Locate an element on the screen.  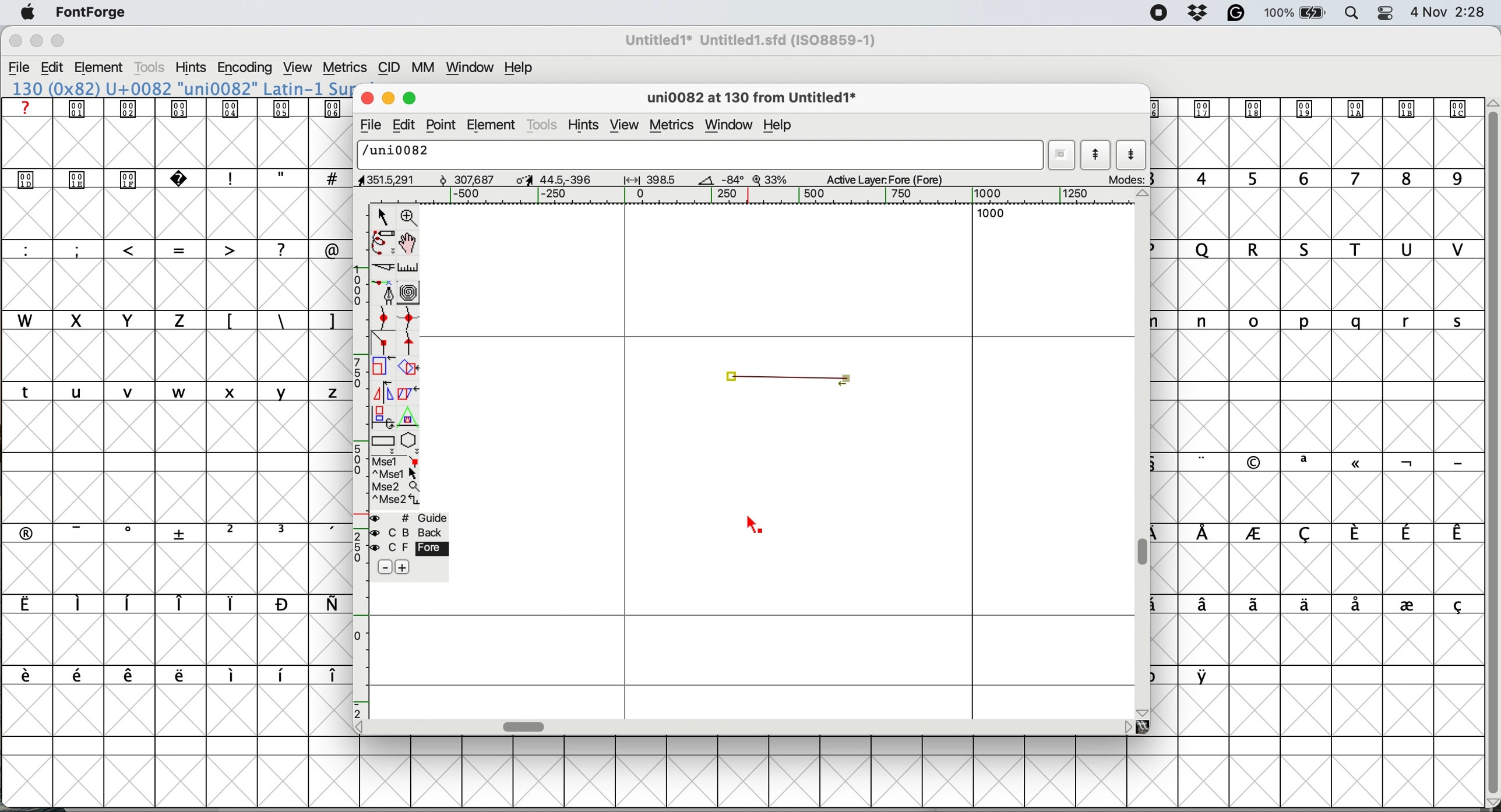
symbols is located at coordinates (179, 108).